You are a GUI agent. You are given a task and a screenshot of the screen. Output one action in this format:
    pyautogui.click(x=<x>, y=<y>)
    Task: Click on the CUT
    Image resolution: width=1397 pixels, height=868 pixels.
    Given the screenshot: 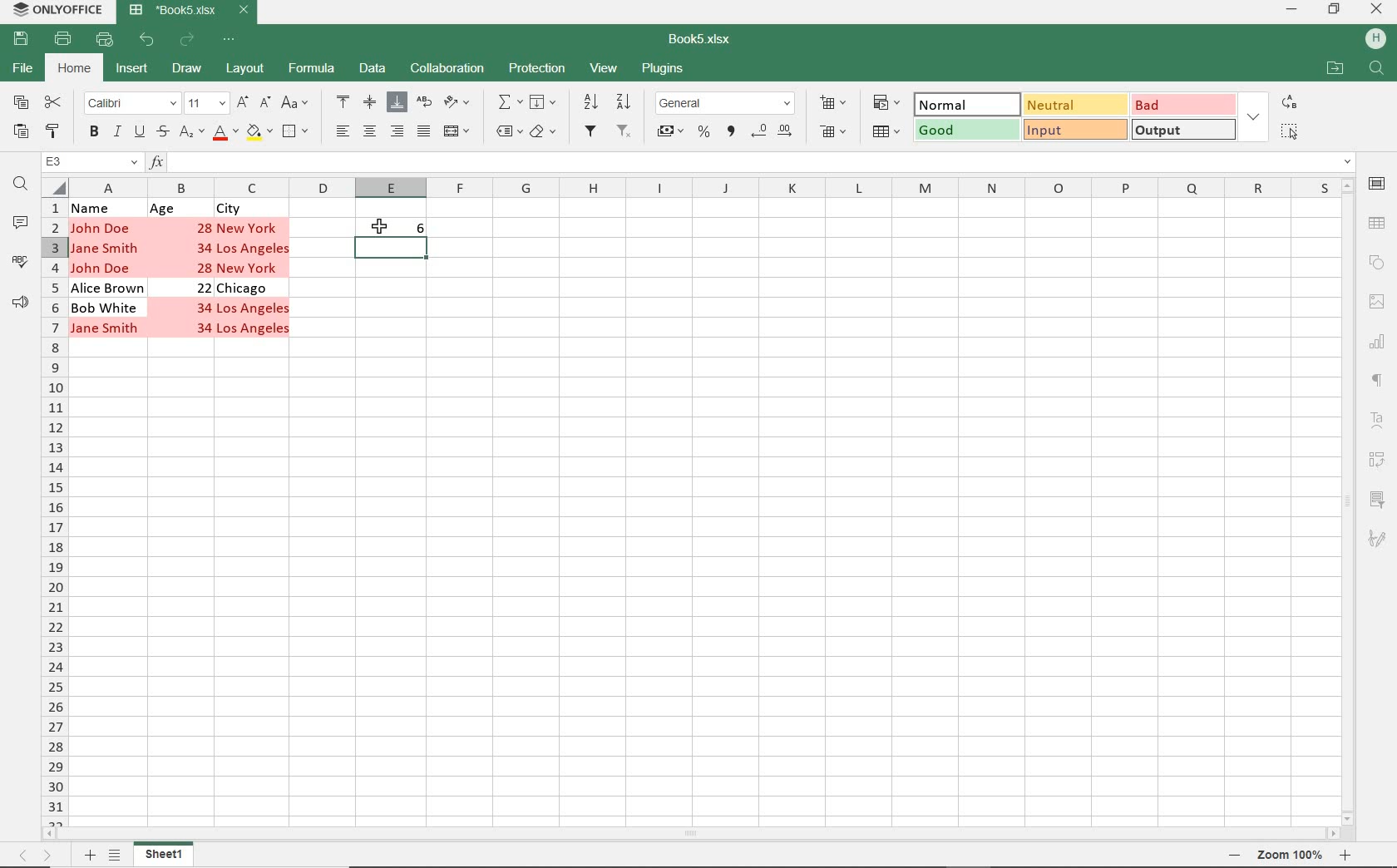 What is the action you would take?
    pyautogui.click(x=52, y=101)
    